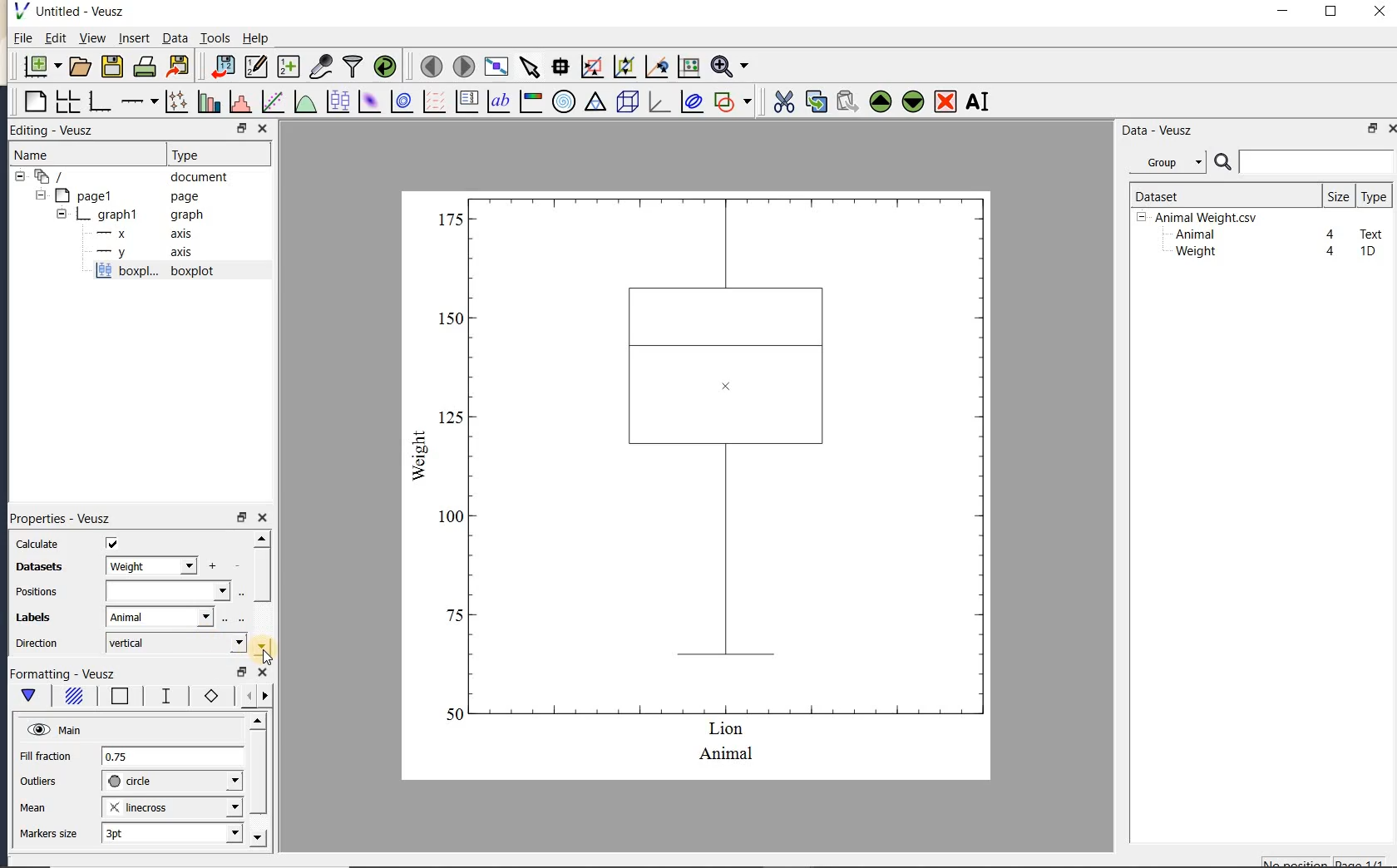  What do you see at coordinates (255, 67) in the screenshot?
I see `edit and enter new datasets` at bounding box center [255, 67].